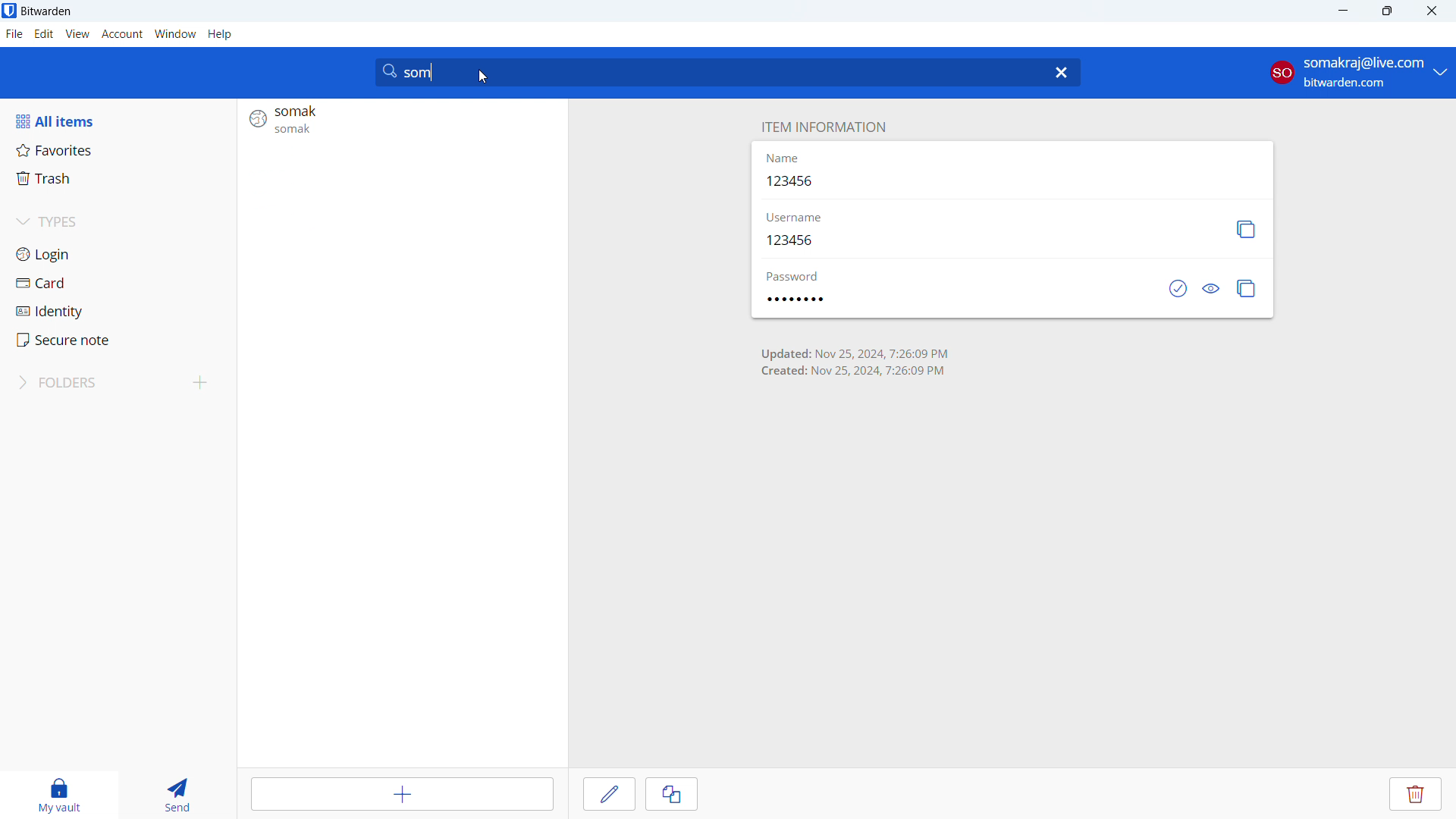  What do you see at coordinates (797, 240) in the screenshot?
I see `123456` at bounding box center [797, 240].